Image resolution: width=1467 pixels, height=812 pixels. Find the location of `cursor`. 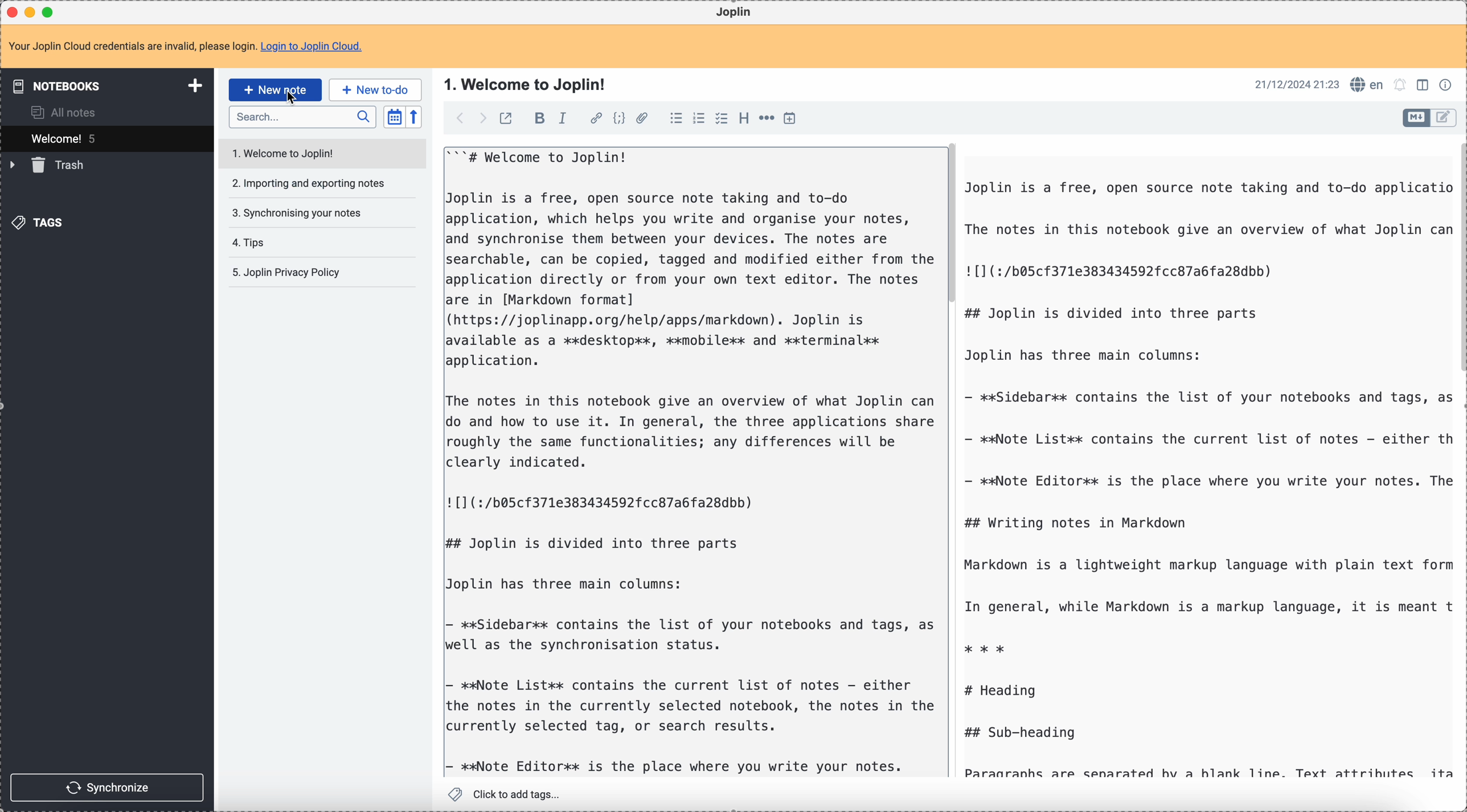

cursor is located at coordinates (288, 97).